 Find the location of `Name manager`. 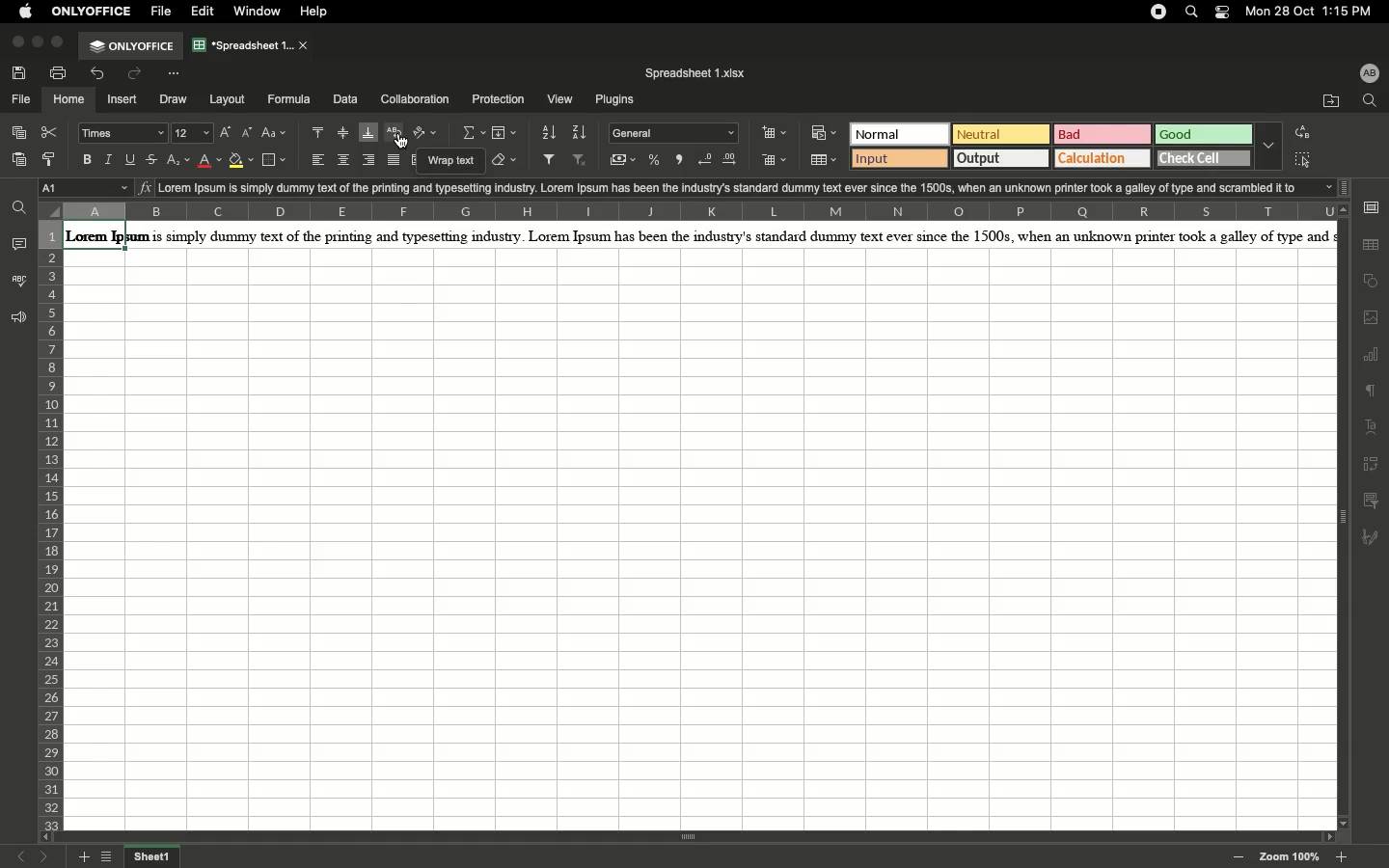

Name manager is located at coordinates (86, 188).